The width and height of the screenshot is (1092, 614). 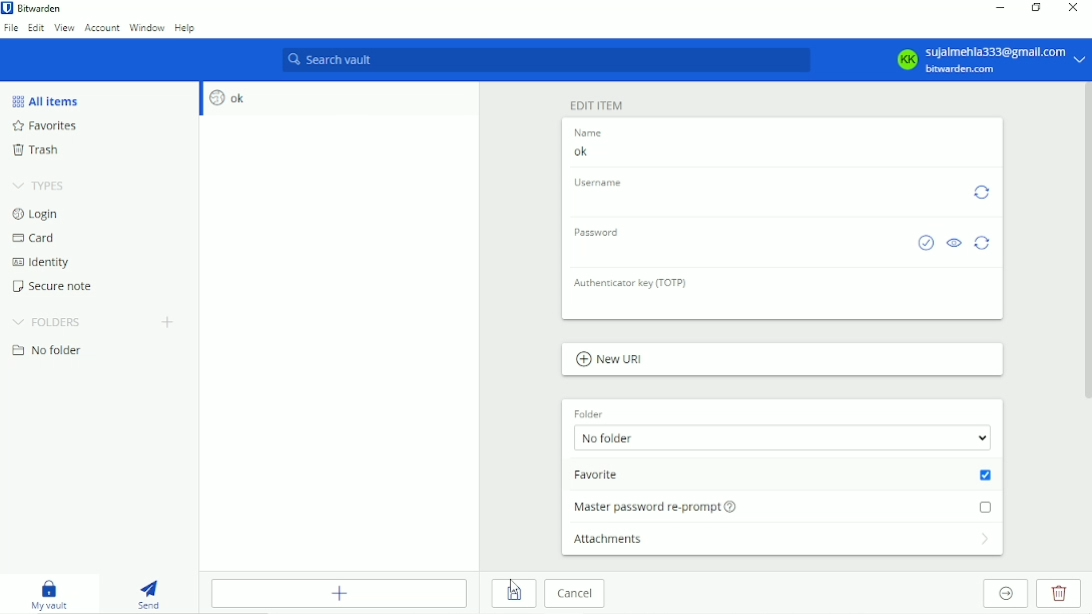 What do you see at coordinates (516, 589) in the screenshot?
I see `Cursor` at bounding box center [516, 589].